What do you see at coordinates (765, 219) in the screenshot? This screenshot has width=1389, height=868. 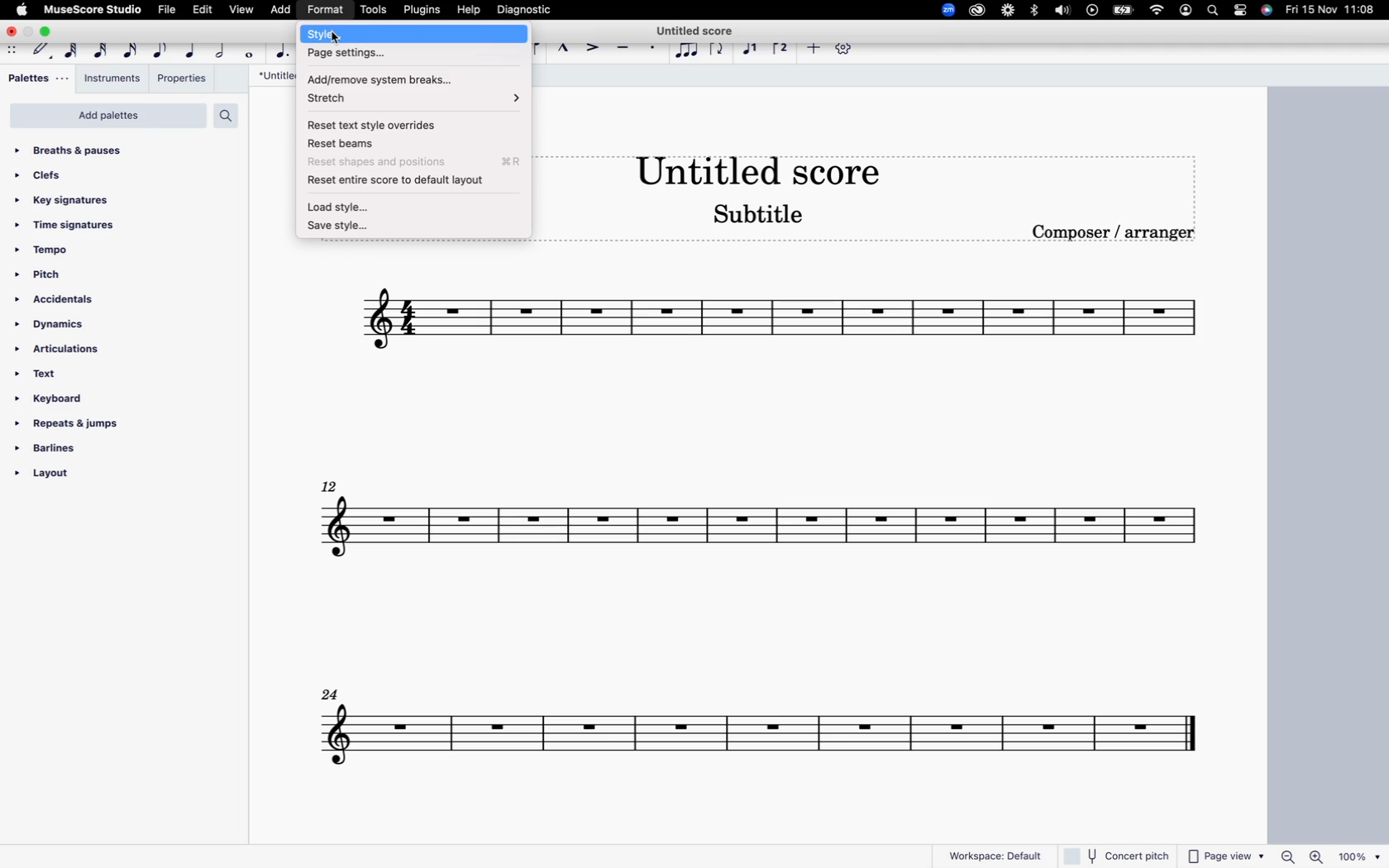 I see `score subtitle` at bounding box center [765, 219].